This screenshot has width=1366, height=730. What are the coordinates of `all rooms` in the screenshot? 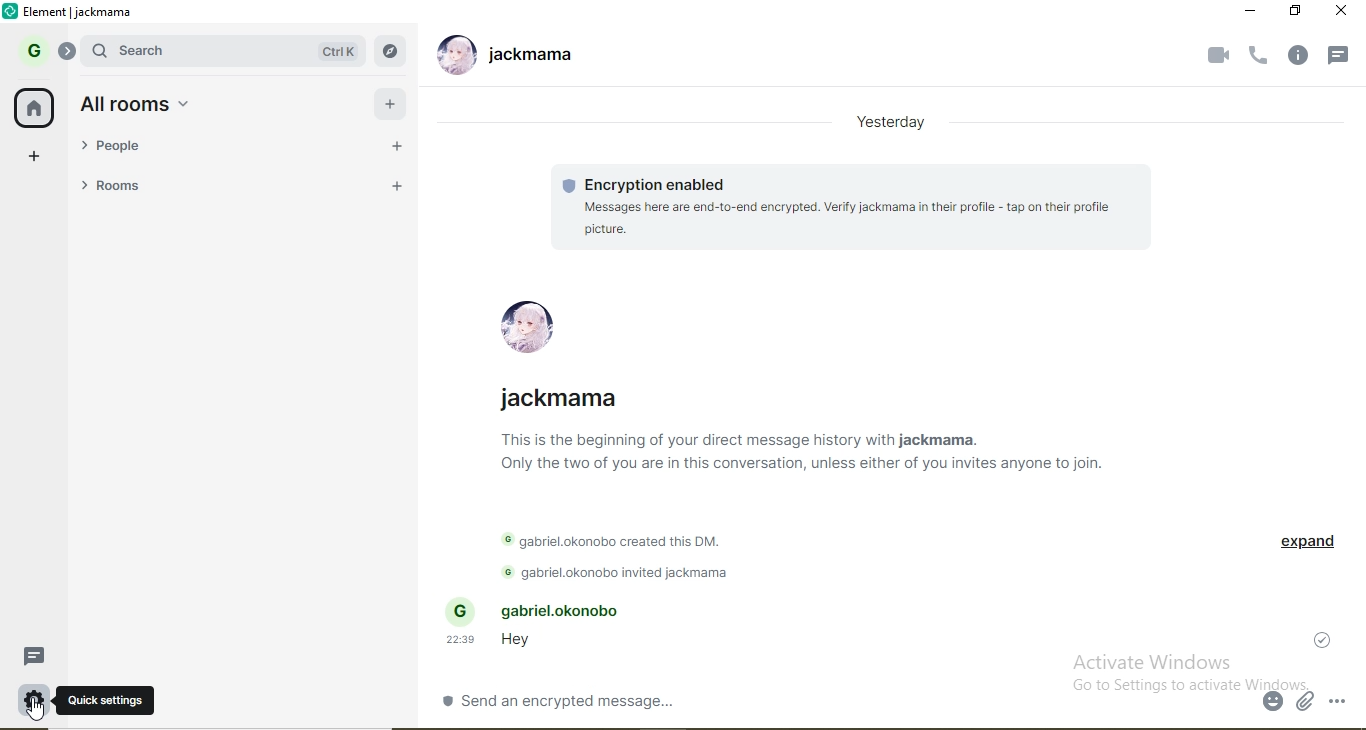 It's located at (138, 104).